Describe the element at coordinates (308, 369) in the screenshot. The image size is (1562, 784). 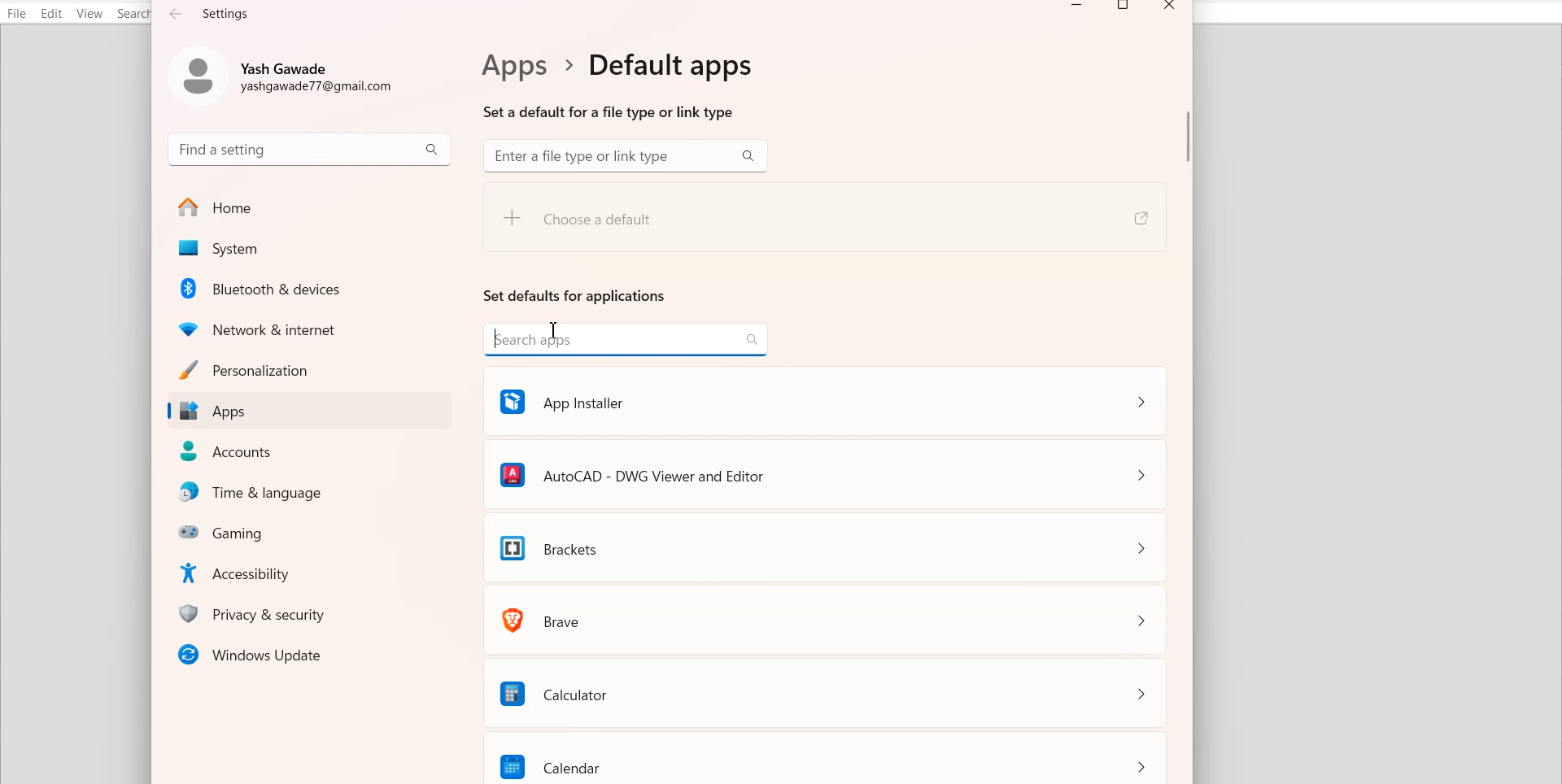
I see `Personalization` at that location.